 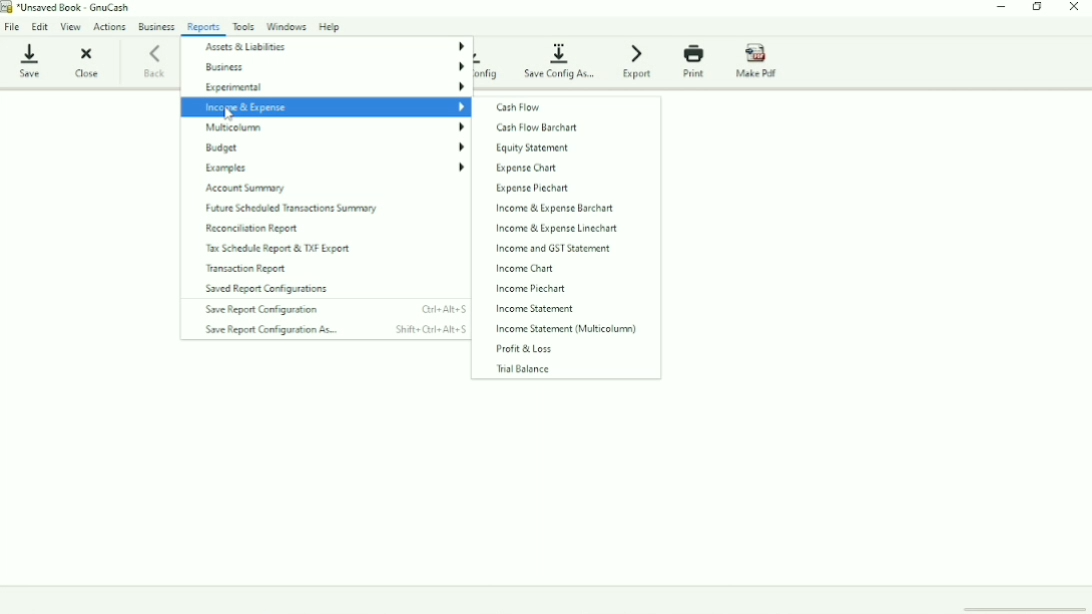 I want to click on Actions, so click(x=111, y=27).